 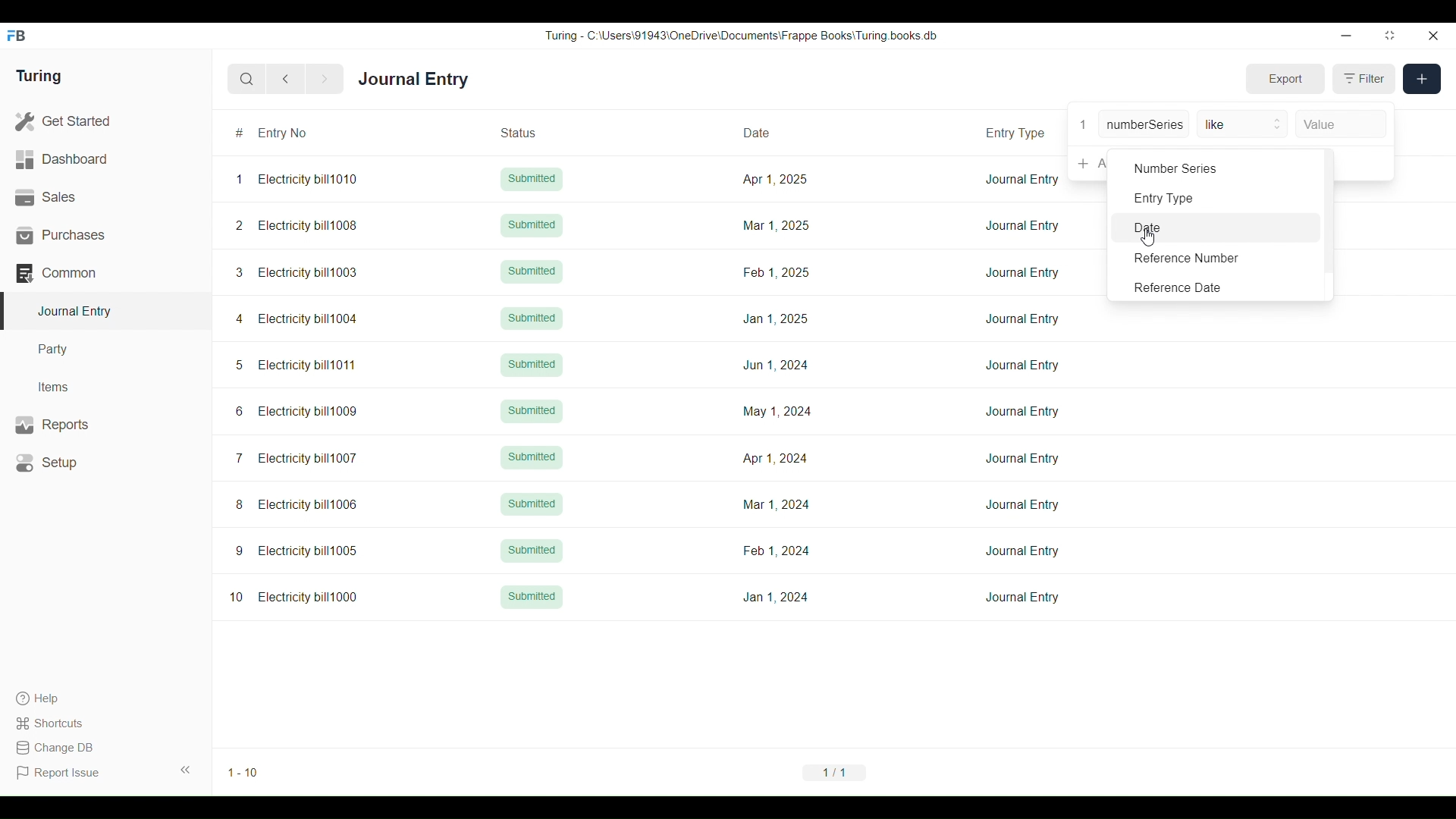 What do you see at coordinates (776, 365) in the screenshot?
I see `Jun 1, 2024` at bounding box center [776, 365].